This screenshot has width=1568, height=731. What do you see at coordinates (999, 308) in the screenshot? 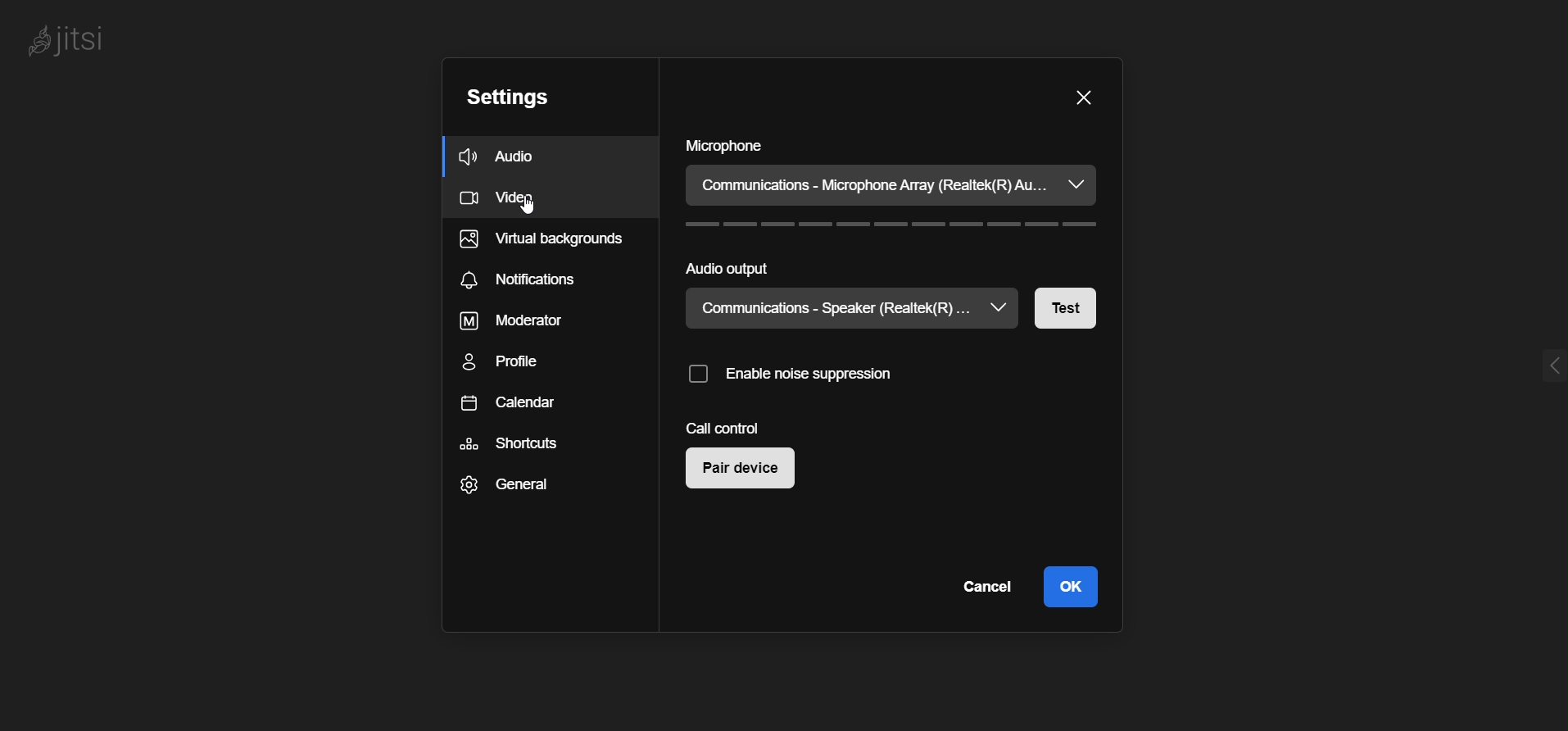
I see `speaker dropdown` at bounding box center [999, 308].